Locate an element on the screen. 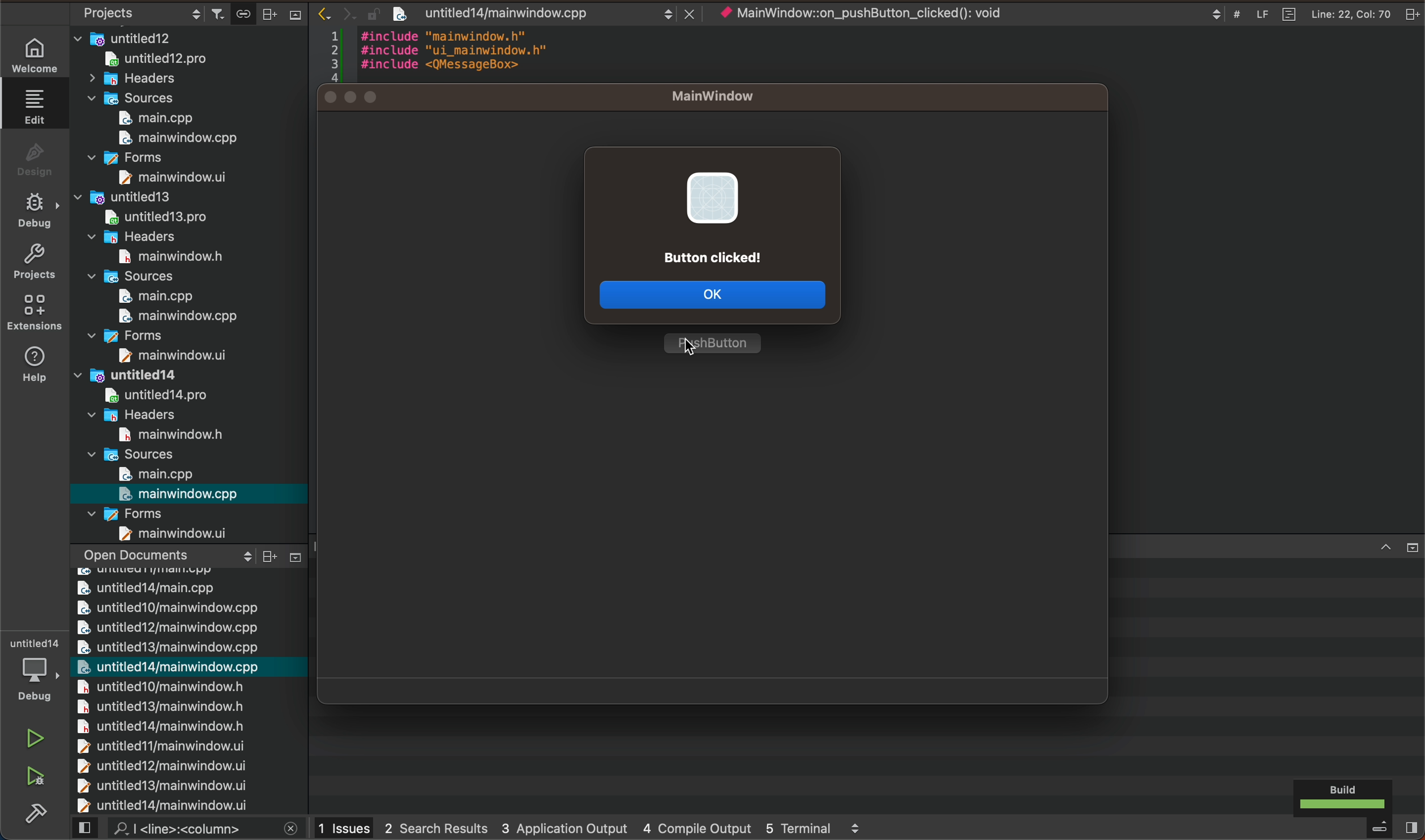 This screenshot has height=840, width=1425. forms is located at coordinates (147, 335).